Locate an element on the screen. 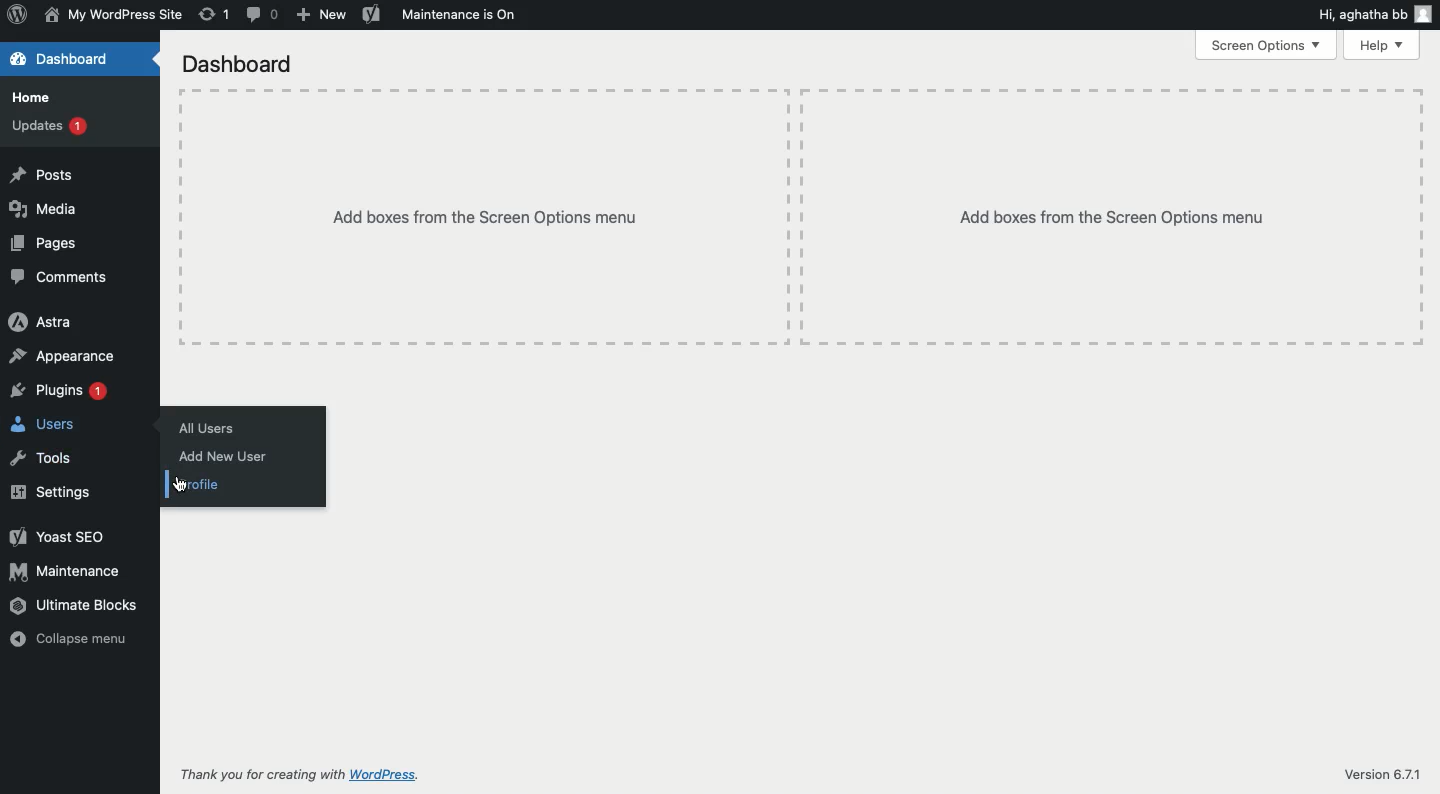 The width and height of the screenshot is (1440, 794). Add new user is located at coordinates (226, 457).